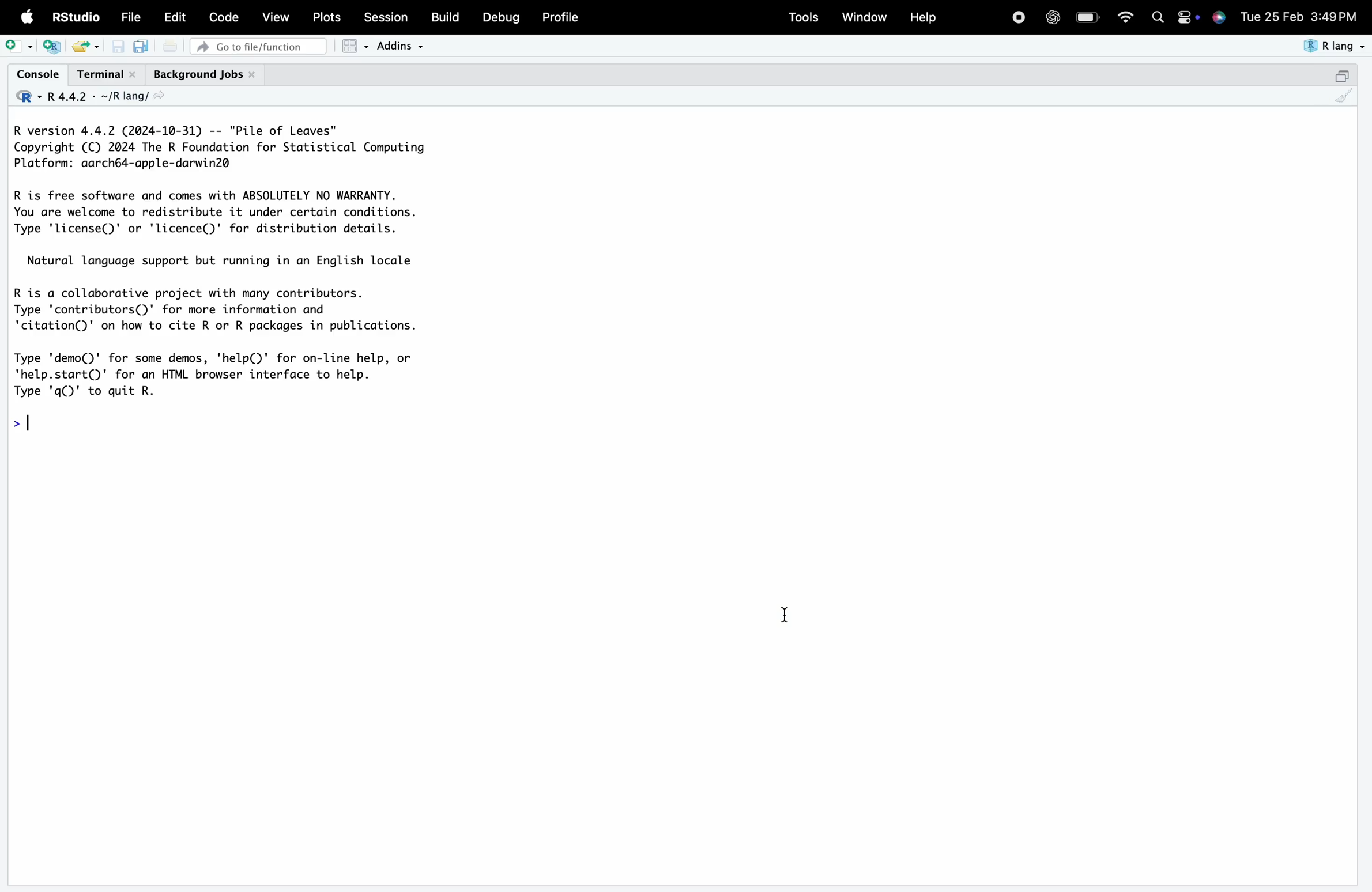 This screenshot has width=1372, height=892. I want to click on insertion cursor, so click(783, 615).